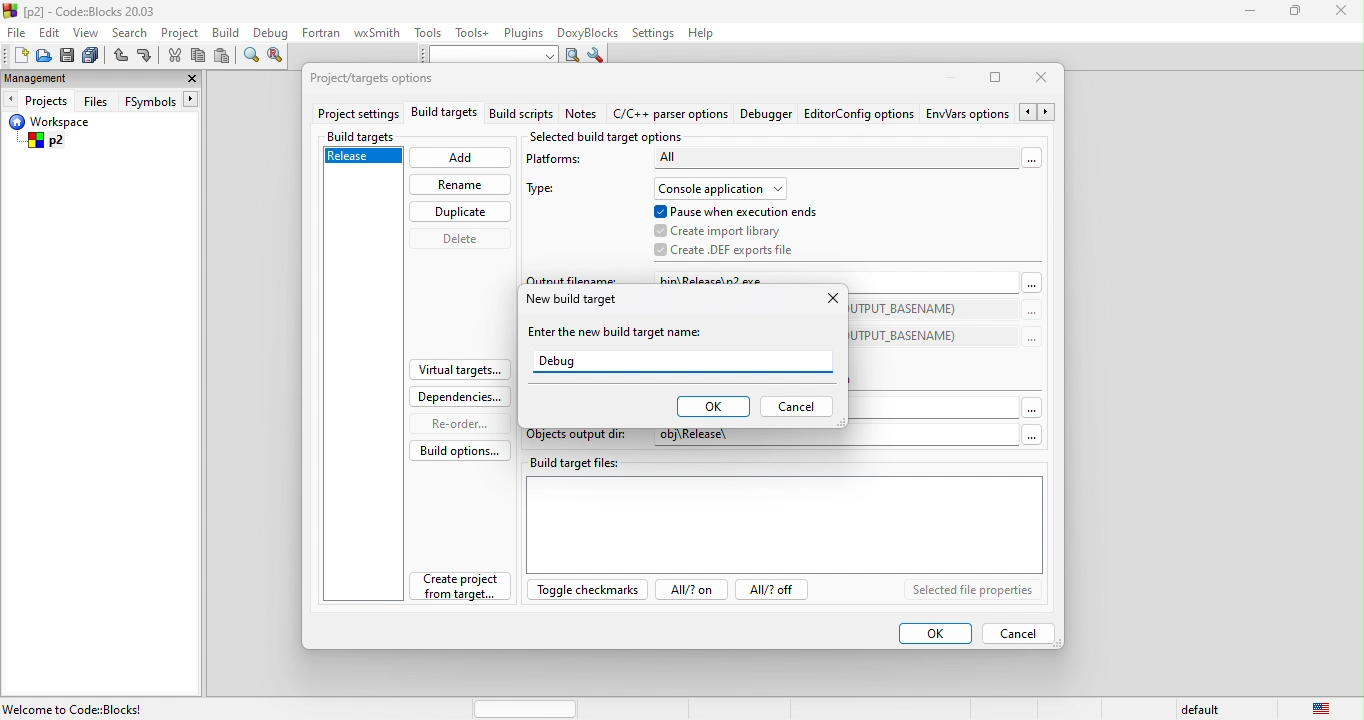  What do you see at coordinates (1019, 634) in the screenshot?
I see `cancel` at bounding box center [1019, 634].